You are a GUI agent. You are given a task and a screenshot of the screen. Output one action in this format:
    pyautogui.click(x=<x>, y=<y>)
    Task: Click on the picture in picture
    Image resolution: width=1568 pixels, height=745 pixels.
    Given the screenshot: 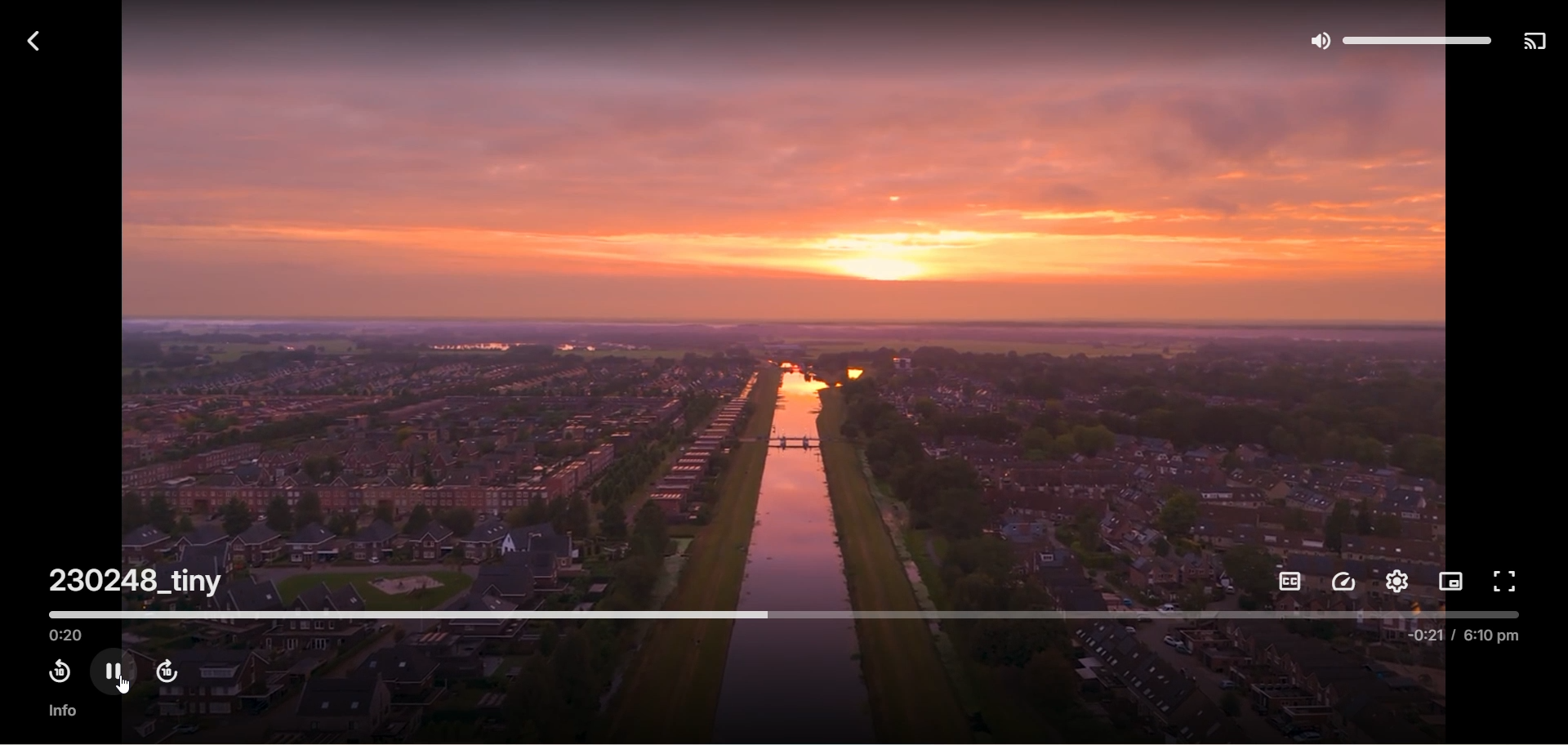 What is the action you would take?
    pyautogui.click(x=1453, y=581)
    